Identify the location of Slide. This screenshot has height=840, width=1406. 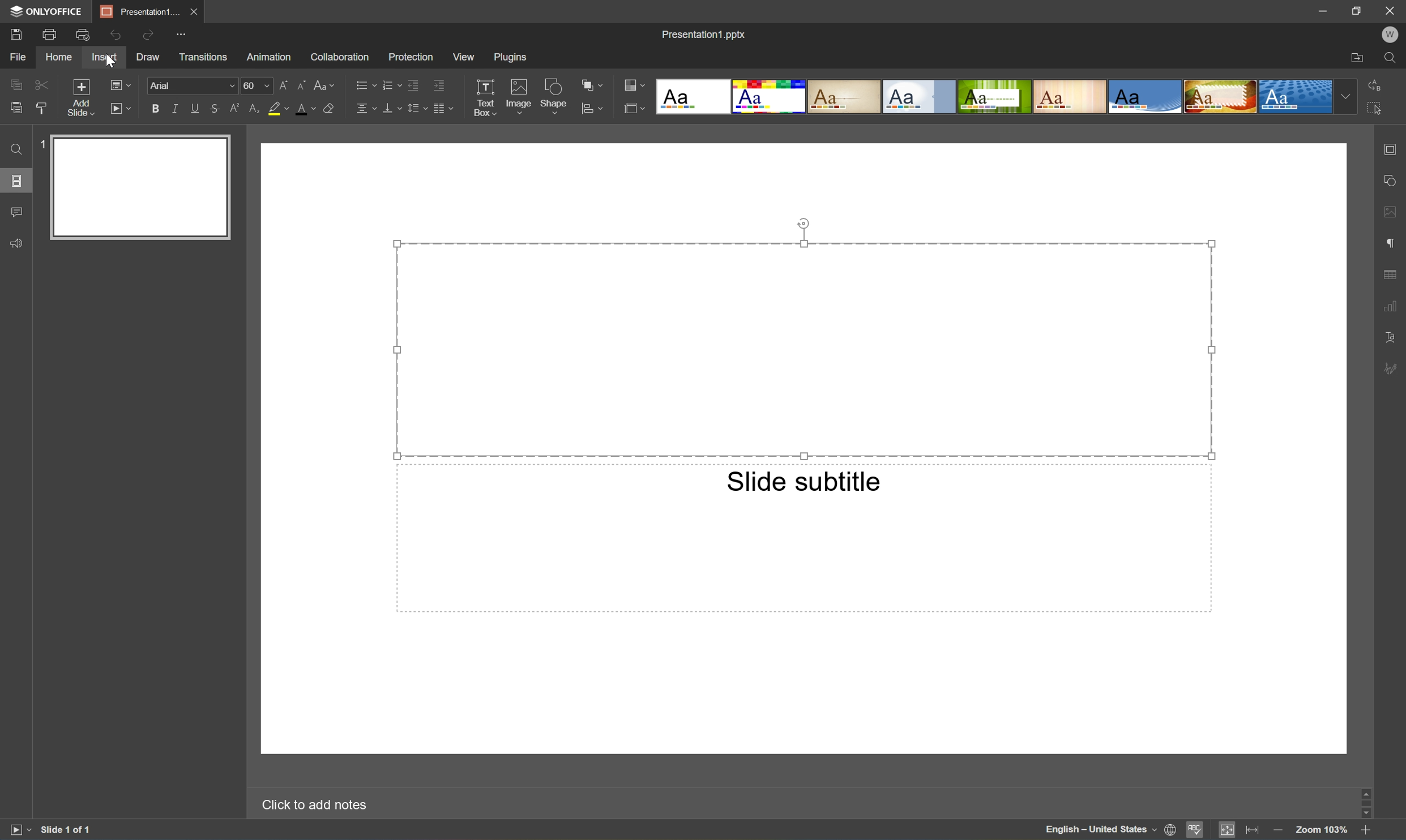
(140, 187).